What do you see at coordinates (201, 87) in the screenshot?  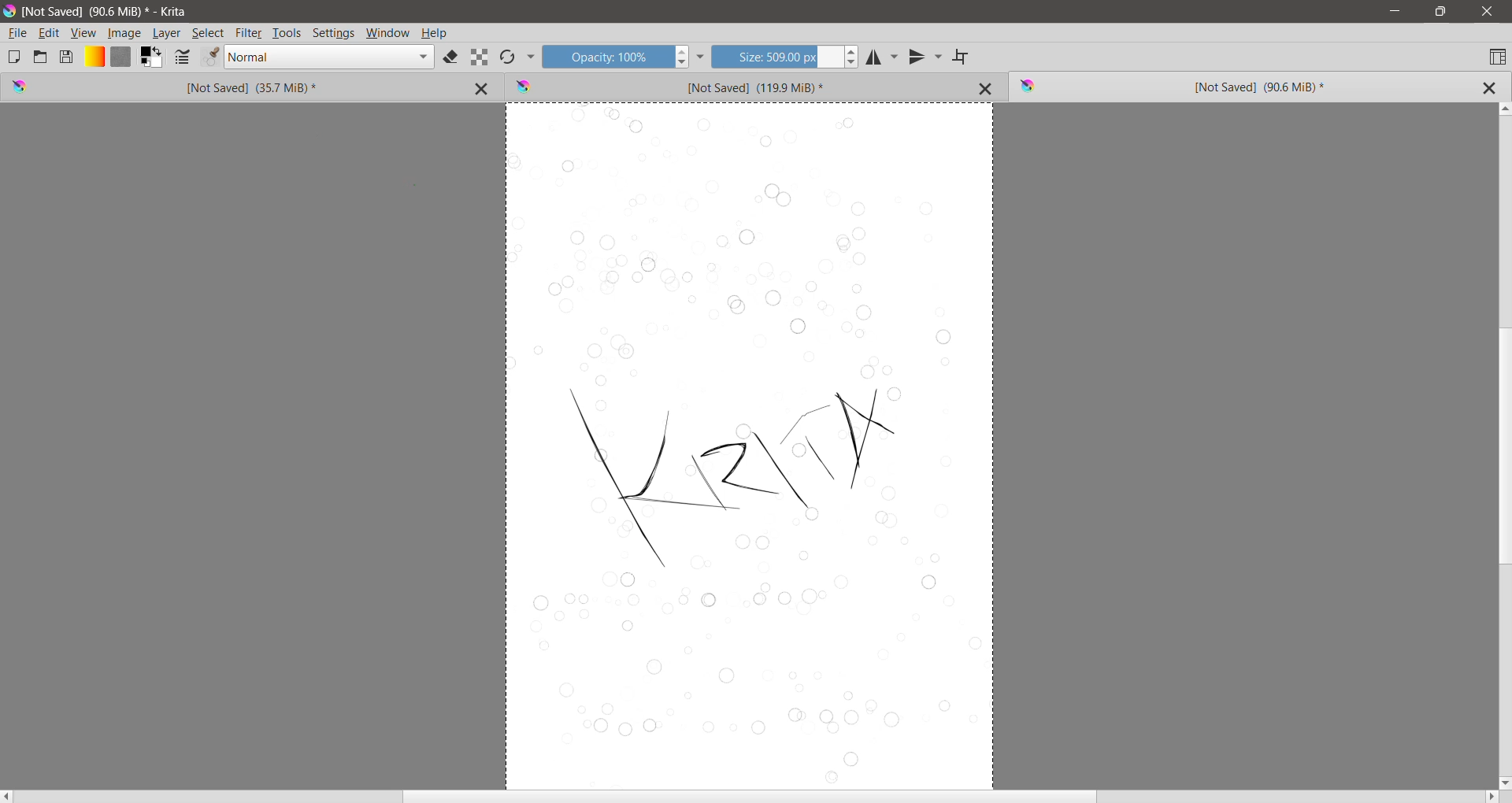 I see `Unsaved Image Tab 1` at bounding box center [201, 87].